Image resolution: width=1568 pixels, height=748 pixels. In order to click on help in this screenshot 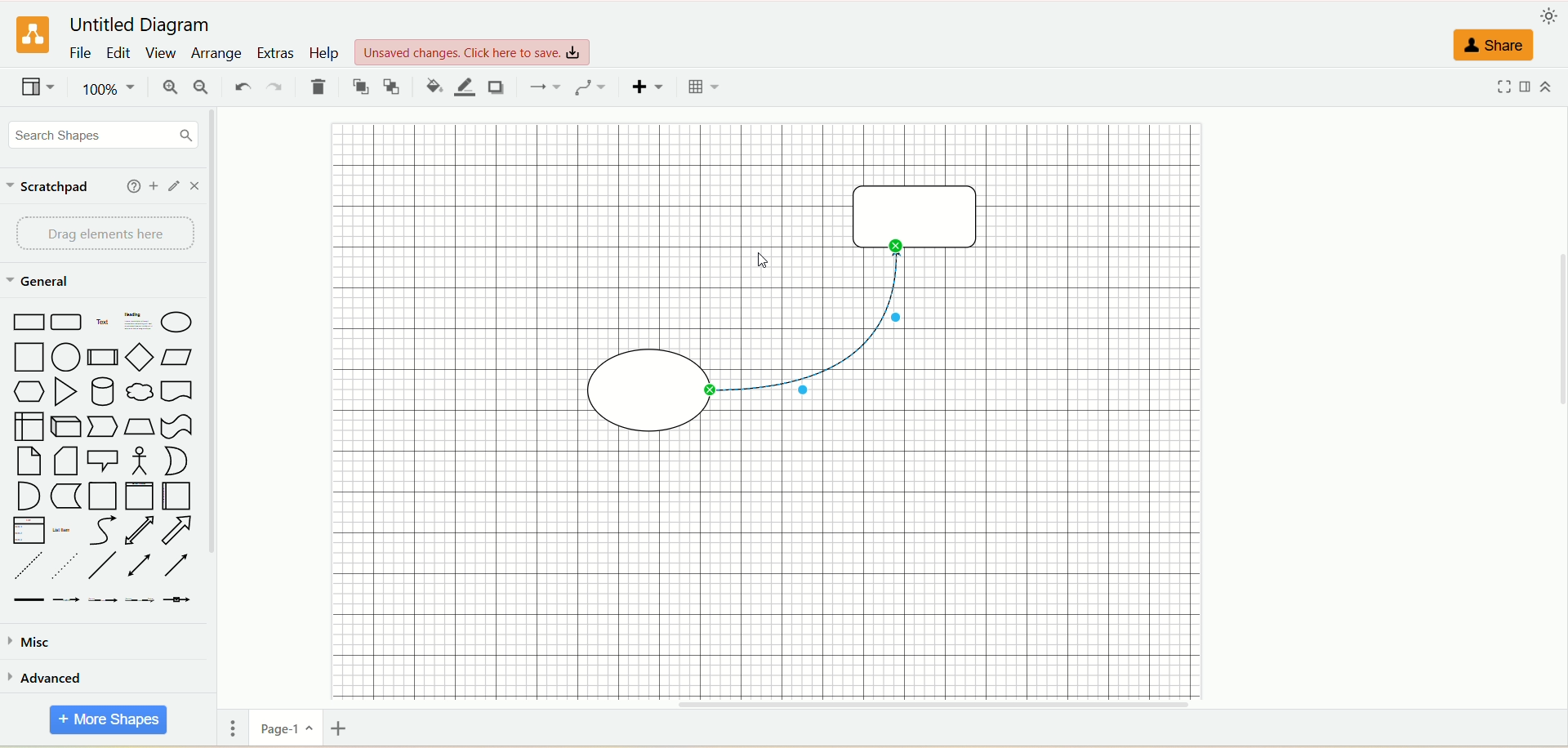, I will do `click(325, 53)`.